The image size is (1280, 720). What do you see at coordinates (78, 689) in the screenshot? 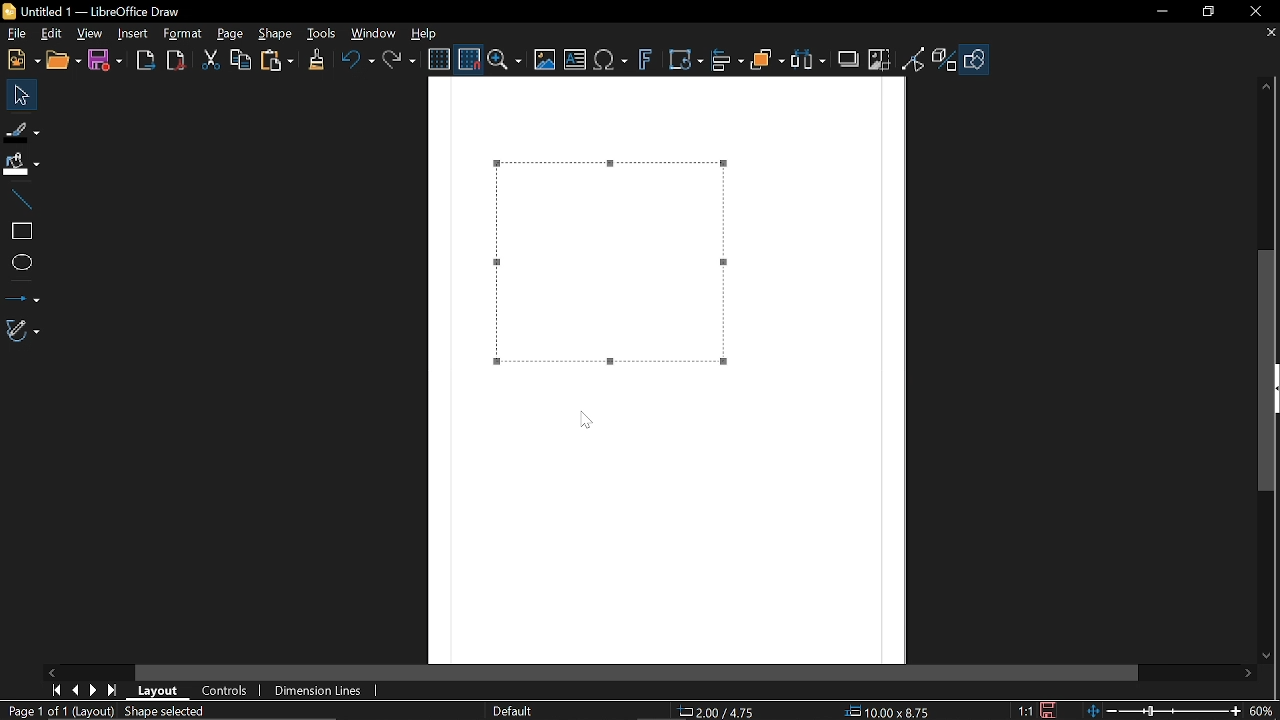
I see `Previous page` at bounding box center [78, 689].